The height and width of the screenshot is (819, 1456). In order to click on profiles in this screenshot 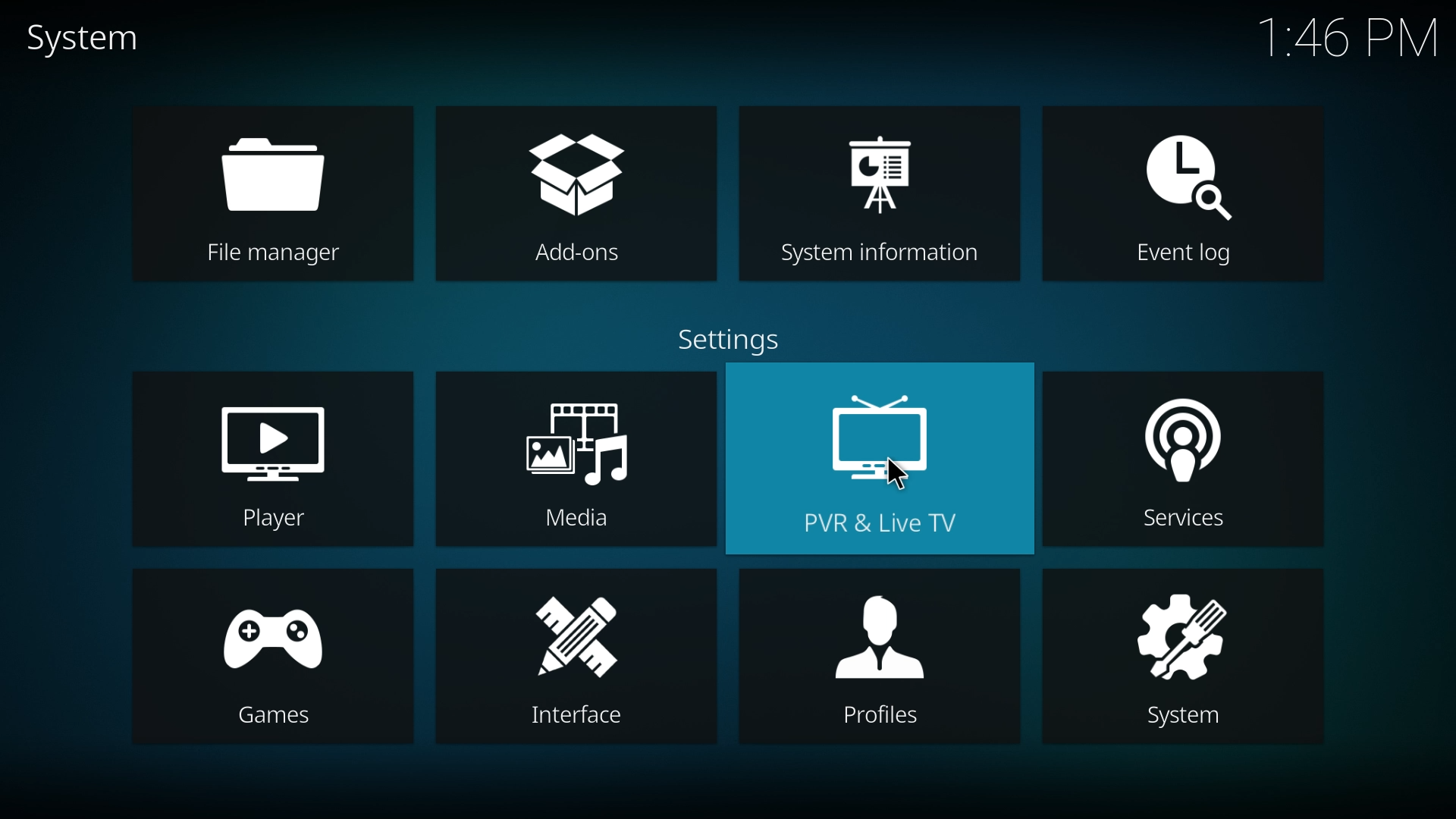, I will do `click(880, 655)`.